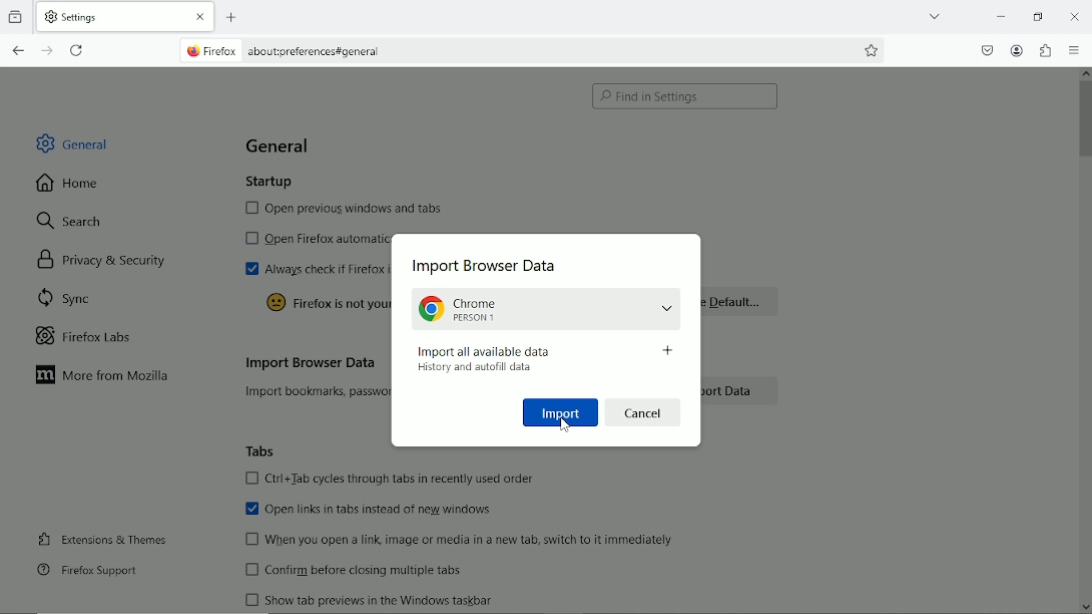  I want to click on Open previous windows and tabs, so click(336, 210).